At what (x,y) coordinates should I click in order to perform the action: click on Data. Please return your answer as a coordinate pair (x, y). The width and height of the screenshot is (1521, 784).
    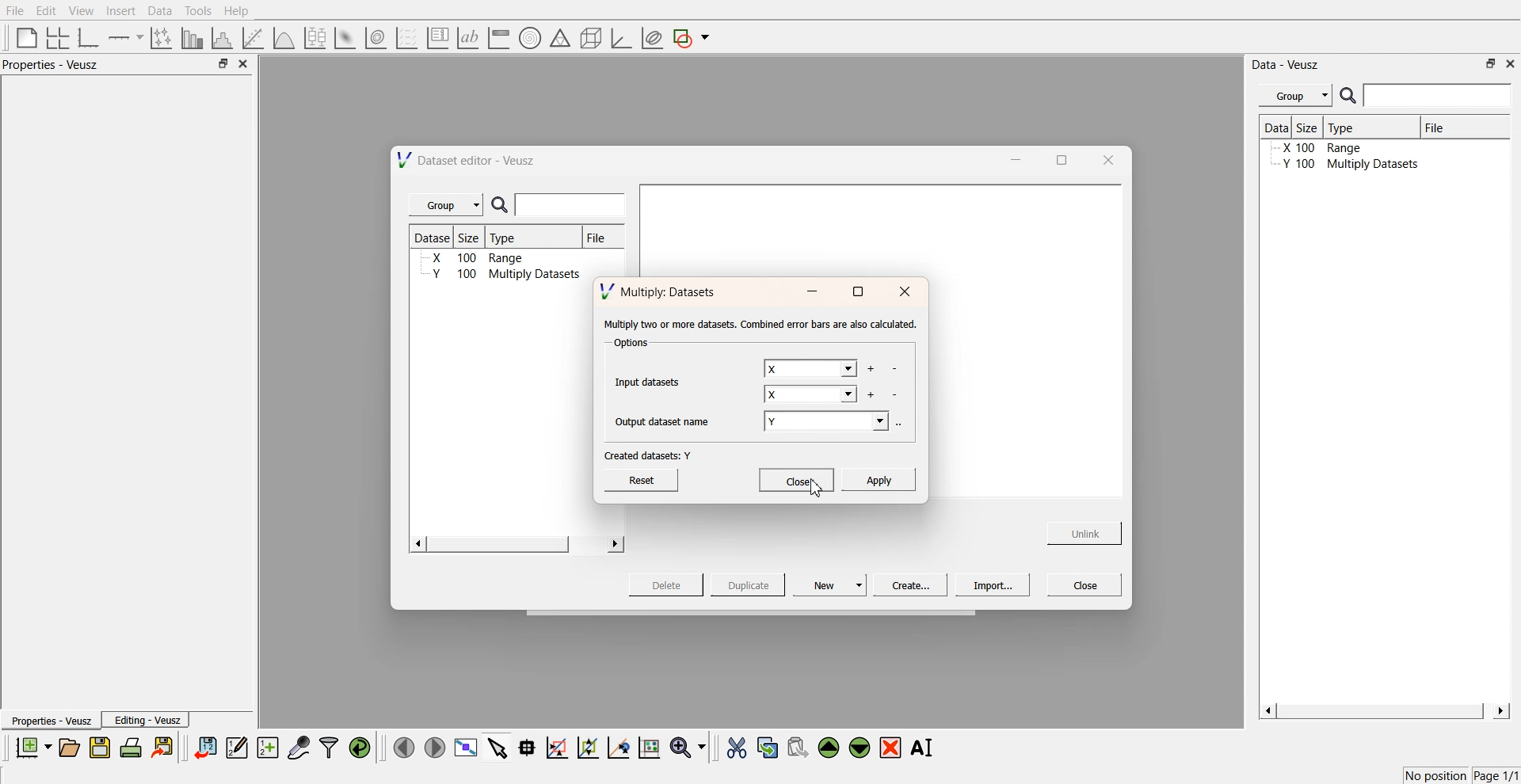
    Looking at the image, I should click on (159, 11).